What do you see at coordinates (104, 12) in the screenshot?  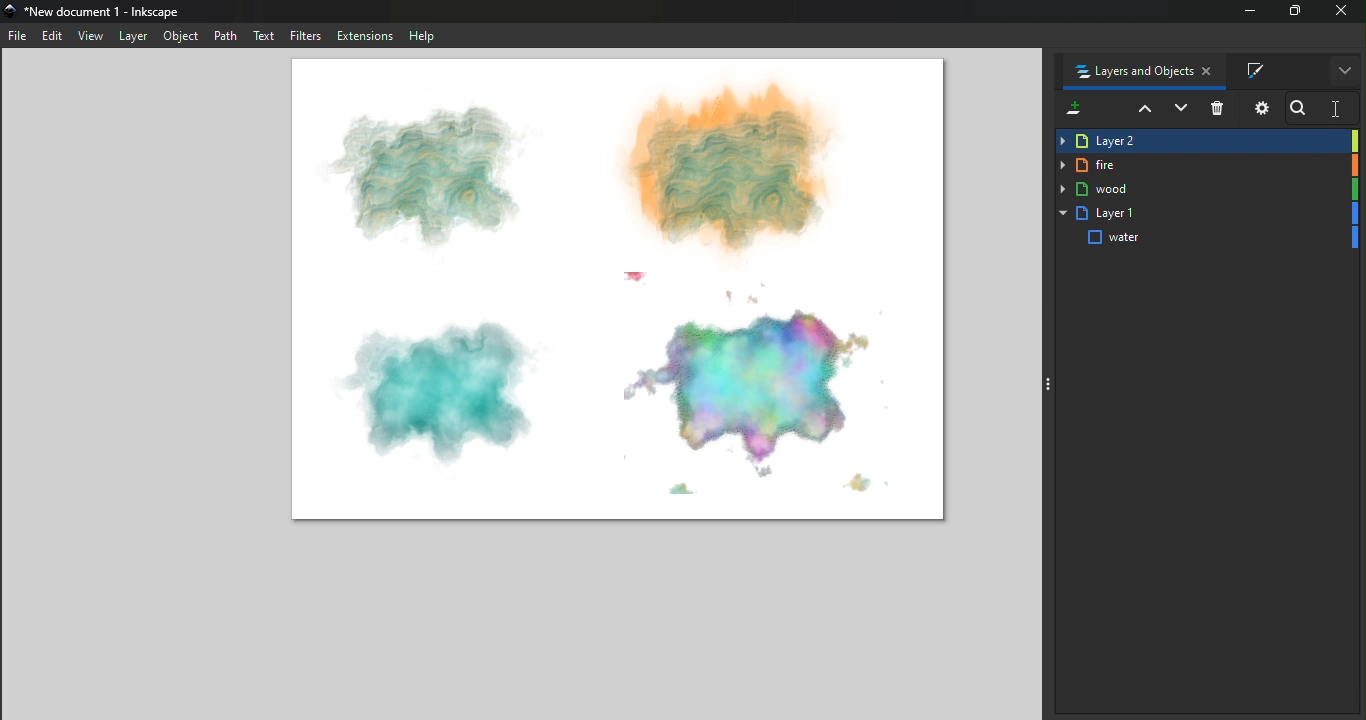 I see ` *New document 1 - Inkscape` at bounding box center [104, 12].